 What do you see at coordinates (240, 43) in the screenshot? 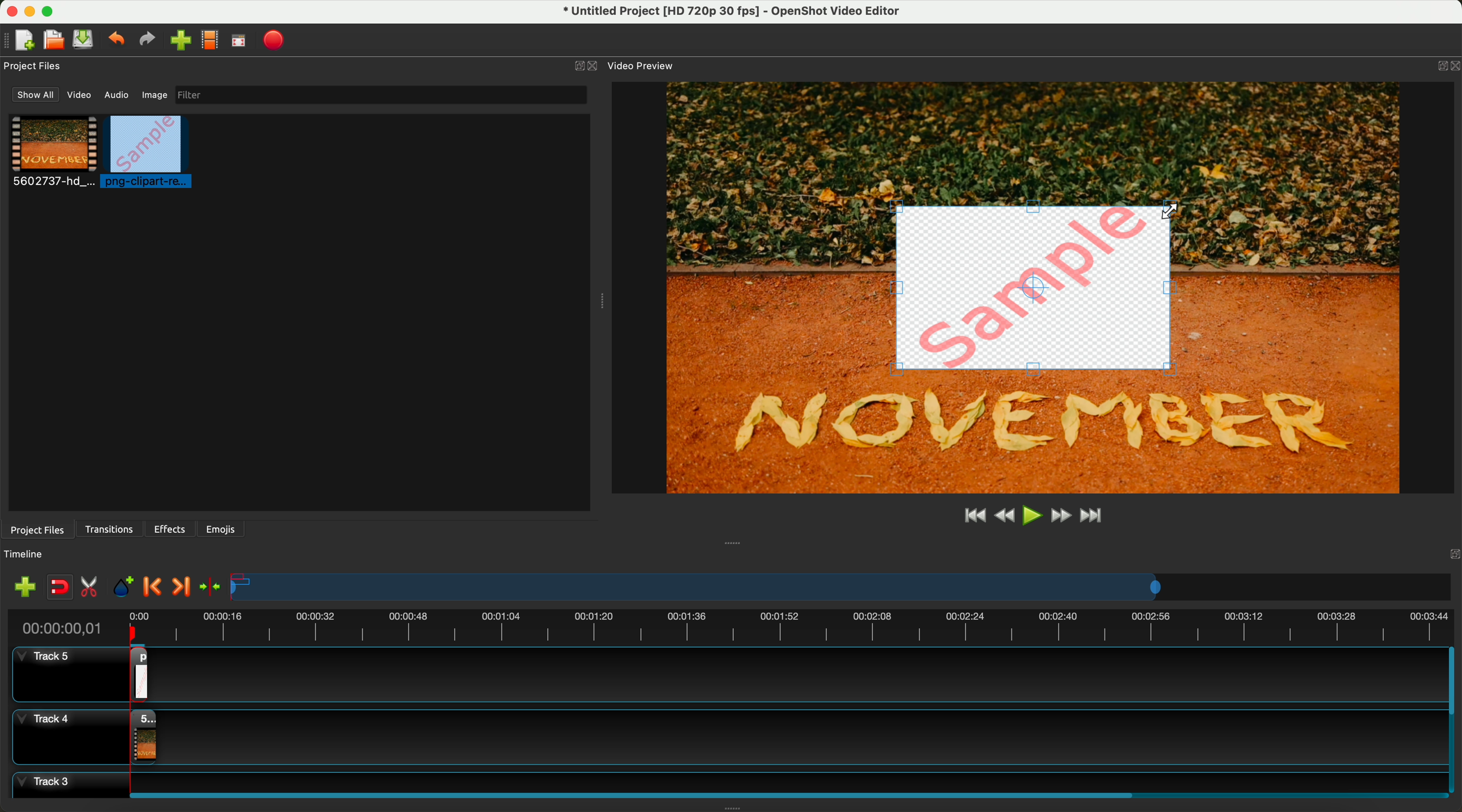
I see `full screen` at bounding box center [240, 43].